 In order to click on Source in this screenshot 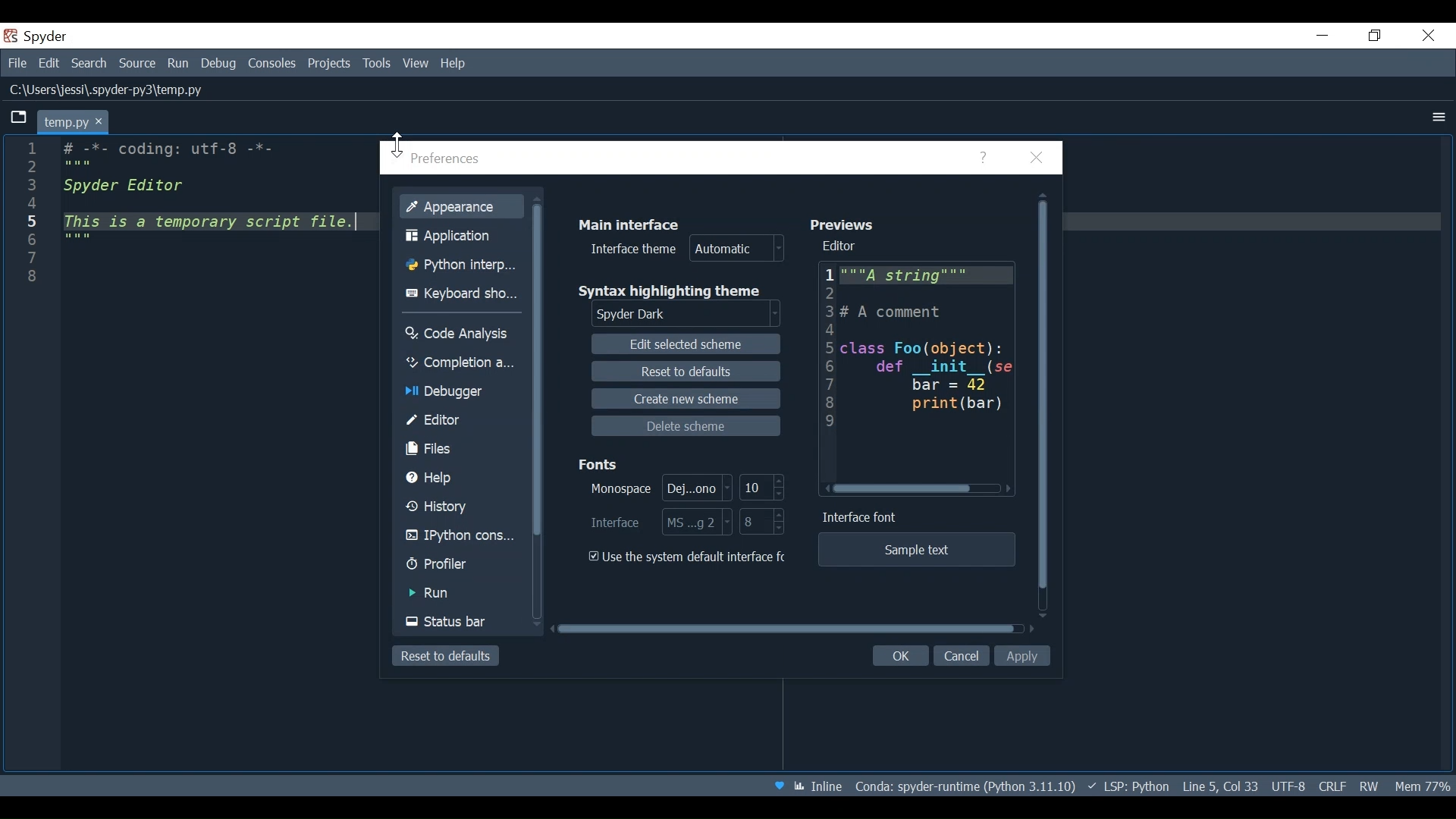, I will do `click(137, 63)`.